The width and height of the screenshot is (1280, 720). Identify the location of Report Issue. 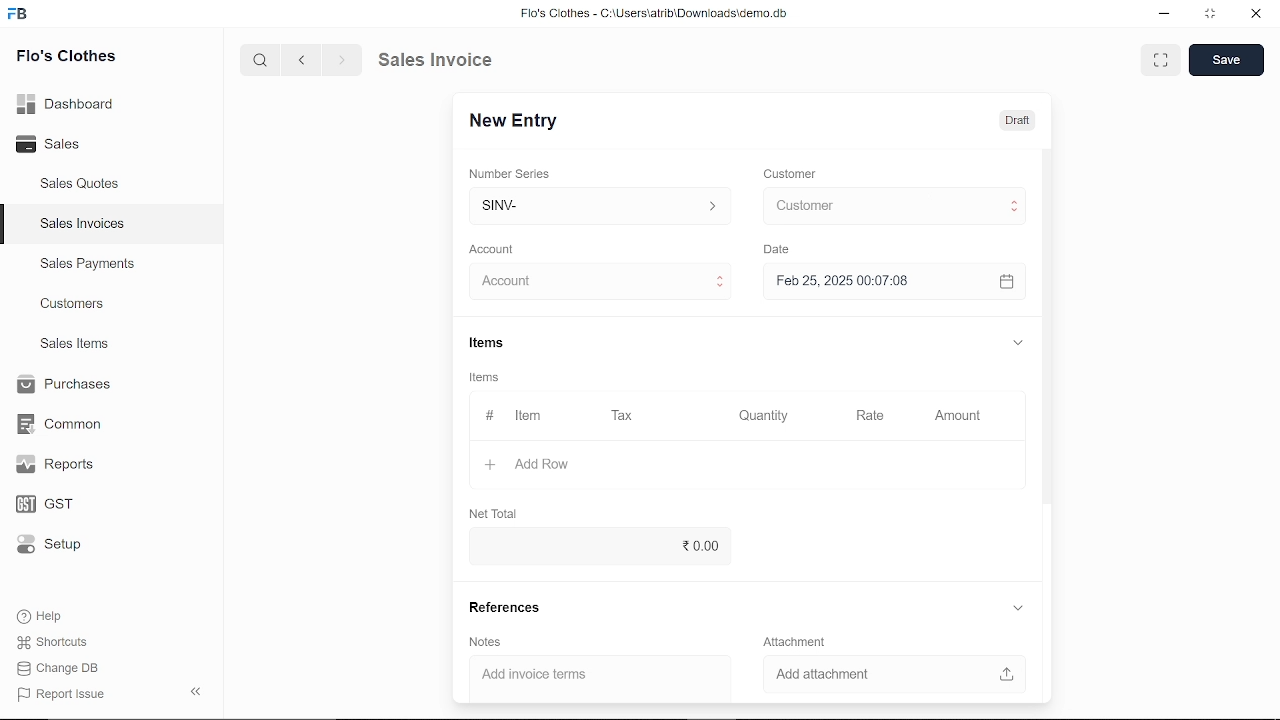
(61, 693).